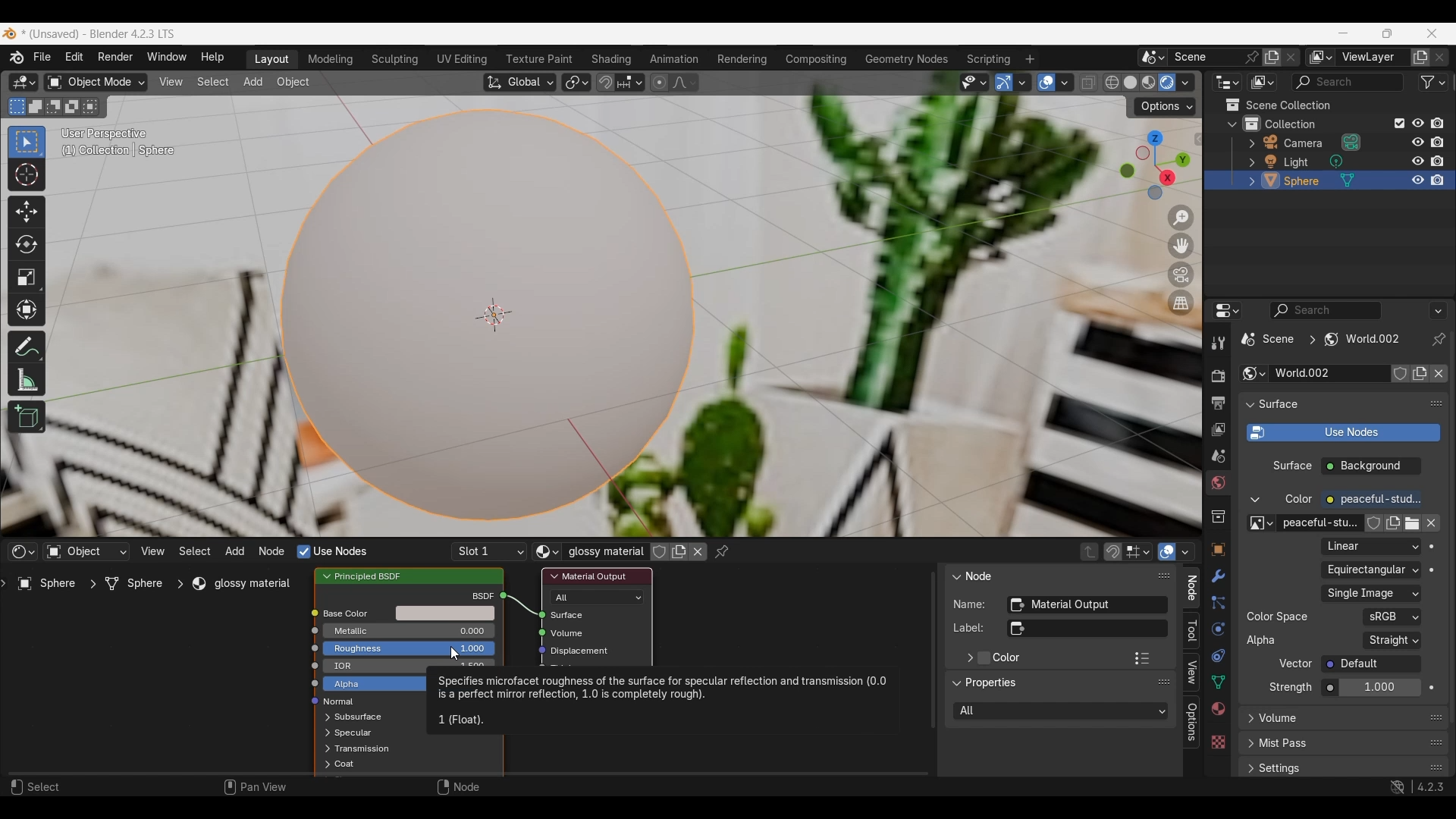  What do you see at coordinates (1181, 303) in the screenshot?
I see `Switch the current view from perspective/orthographic projection` at bounding box center [1181, 303].